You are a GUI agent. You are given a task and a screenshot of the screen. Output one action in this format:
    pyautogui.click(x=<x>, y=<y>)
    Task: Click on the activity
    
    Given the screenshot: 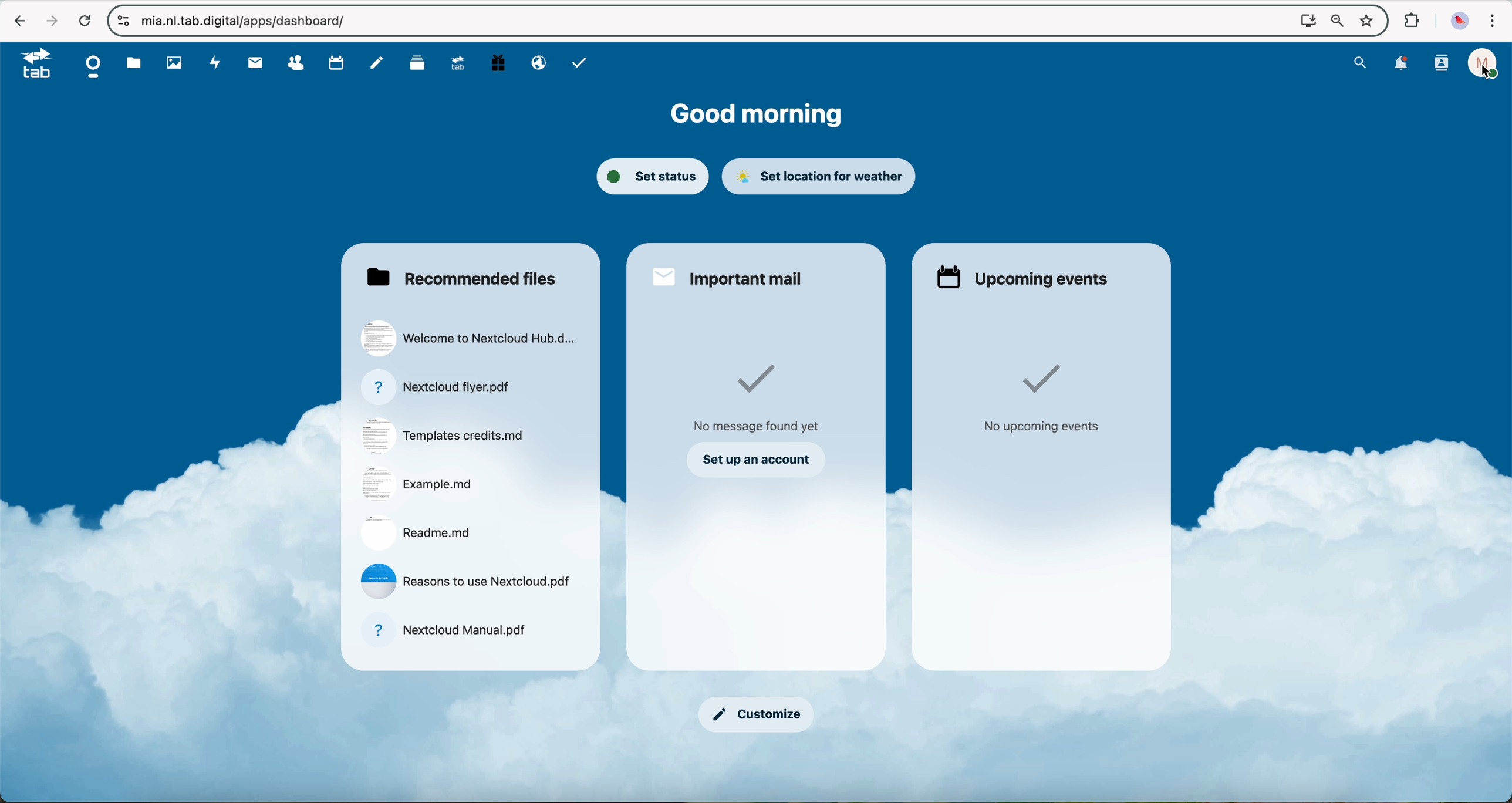 What is the action you would take?
    pyautogui.click(x=214, y=63)
    